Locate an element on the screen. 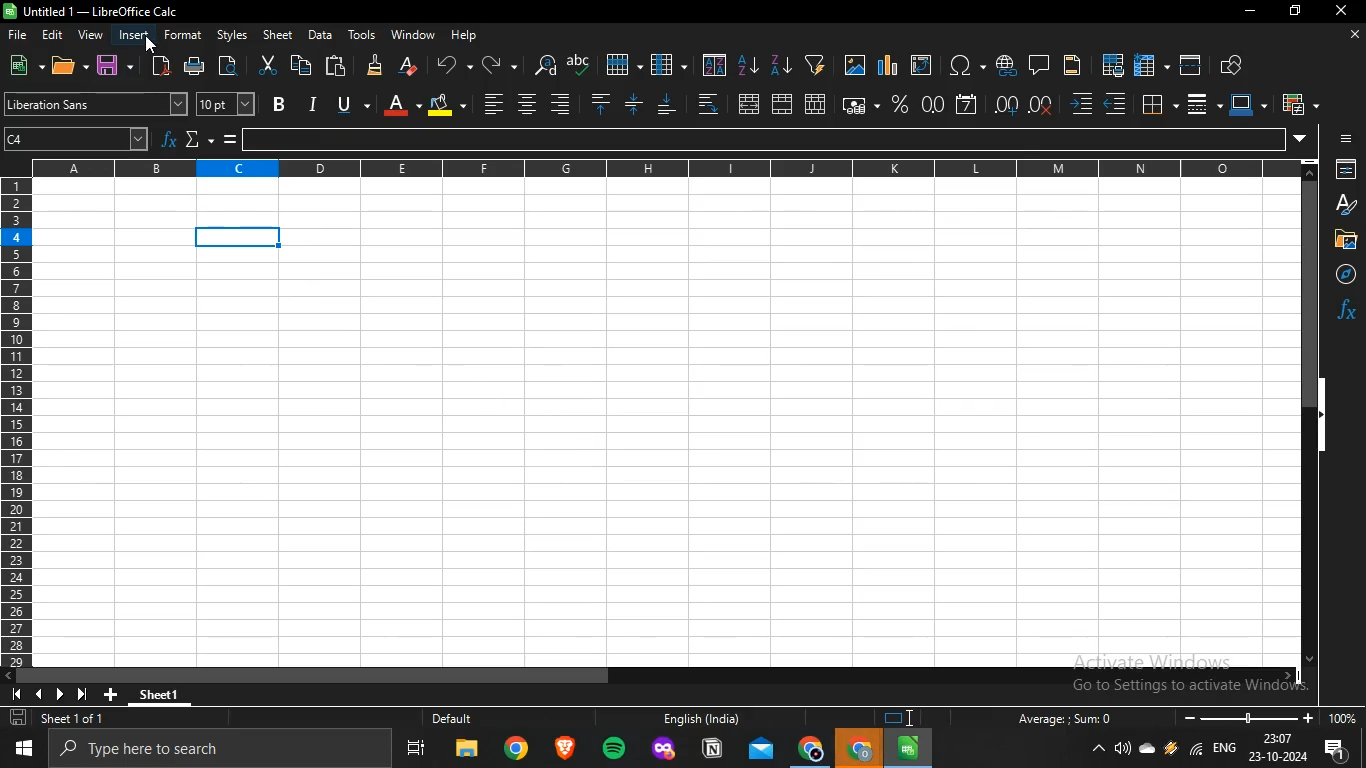 Image resolution: width=1366 pixels, height=768 pixels. insert is located at coordinates (134, 34).